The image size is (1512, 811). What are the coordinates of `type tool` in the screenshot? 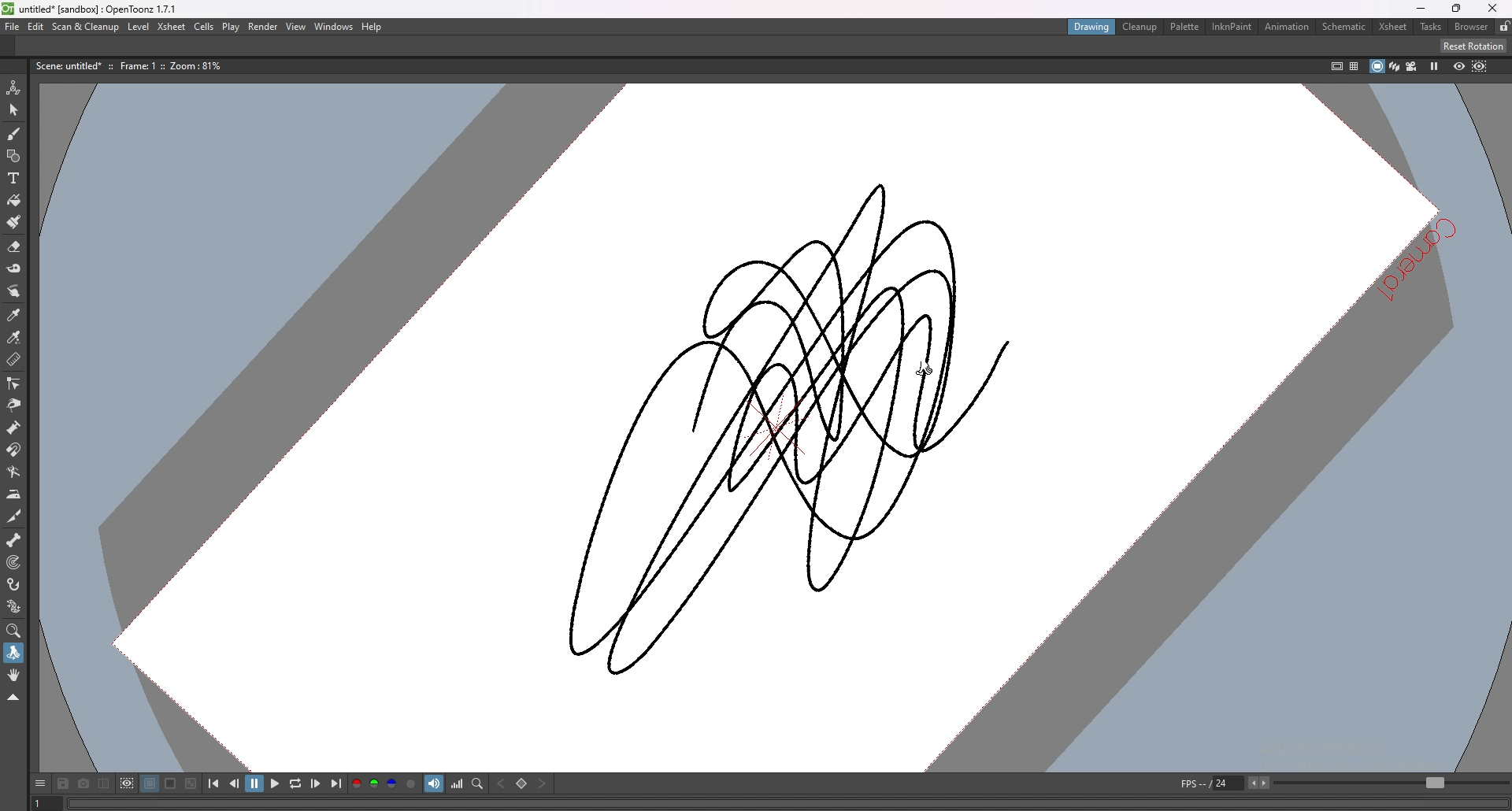 It's located at (13, 177).